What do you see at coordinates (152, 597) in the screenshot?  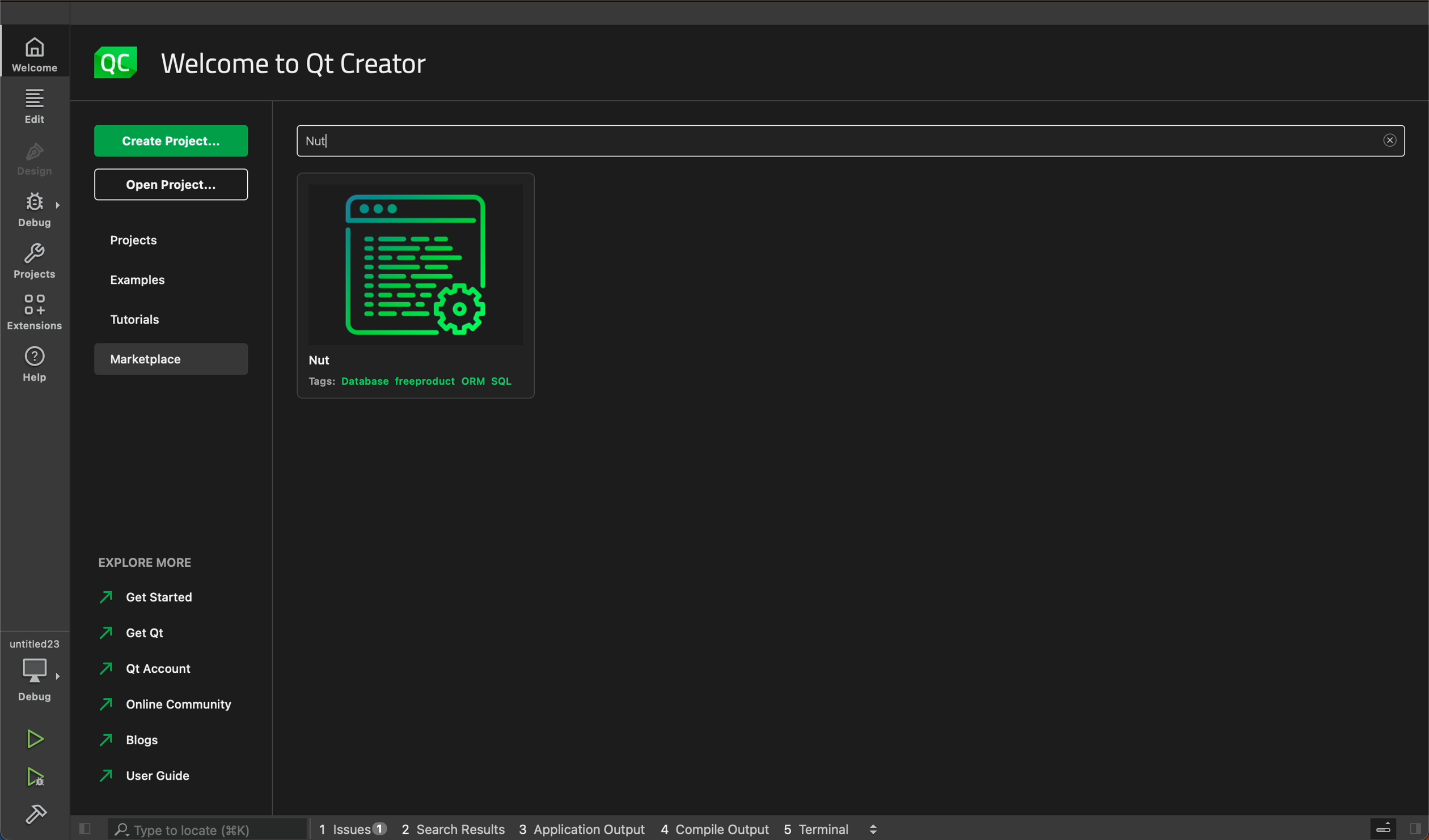 I see `` at bounding box center [152, 597].